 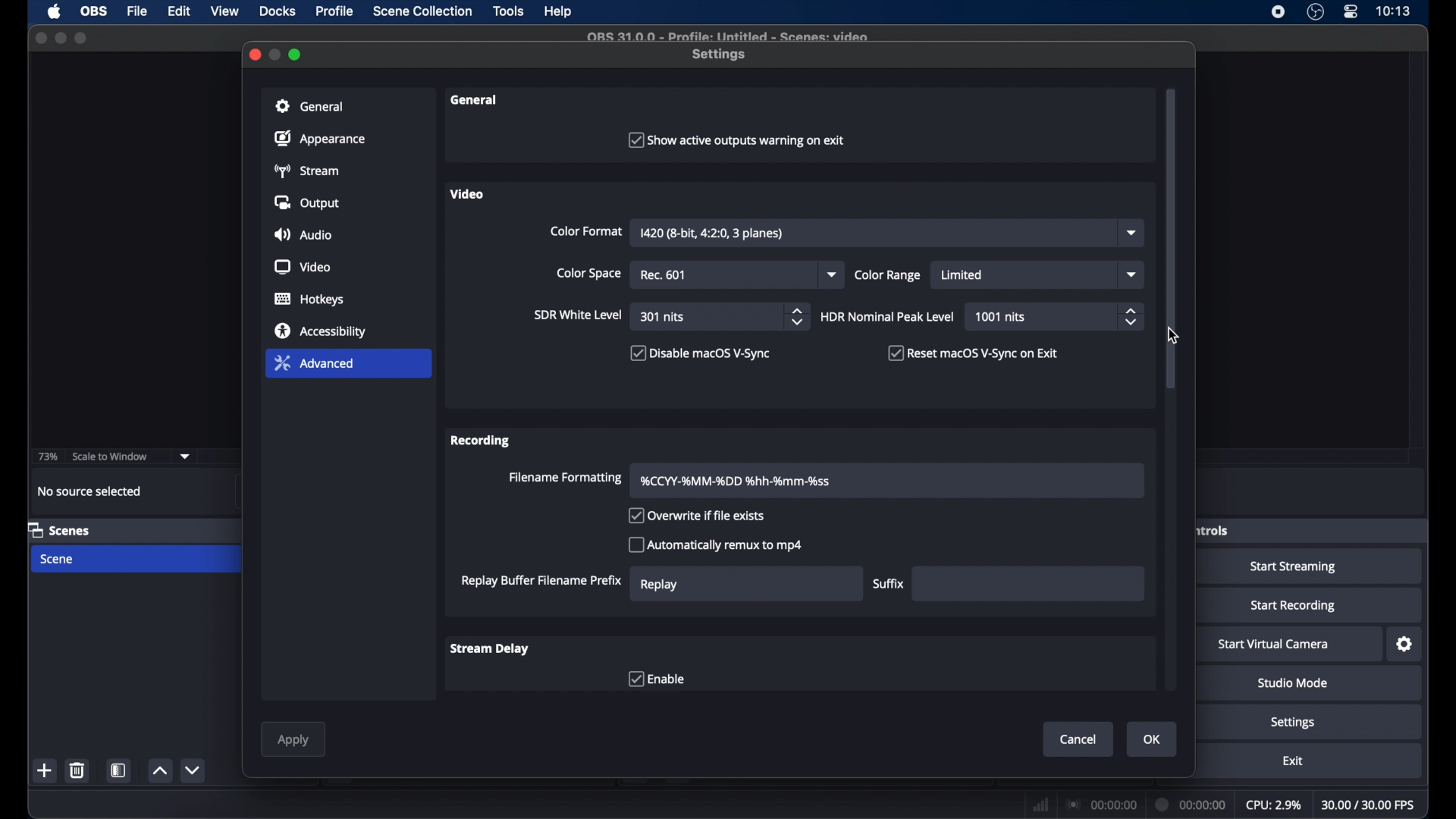 I want to click on ok, so click(x=1153, y=739).